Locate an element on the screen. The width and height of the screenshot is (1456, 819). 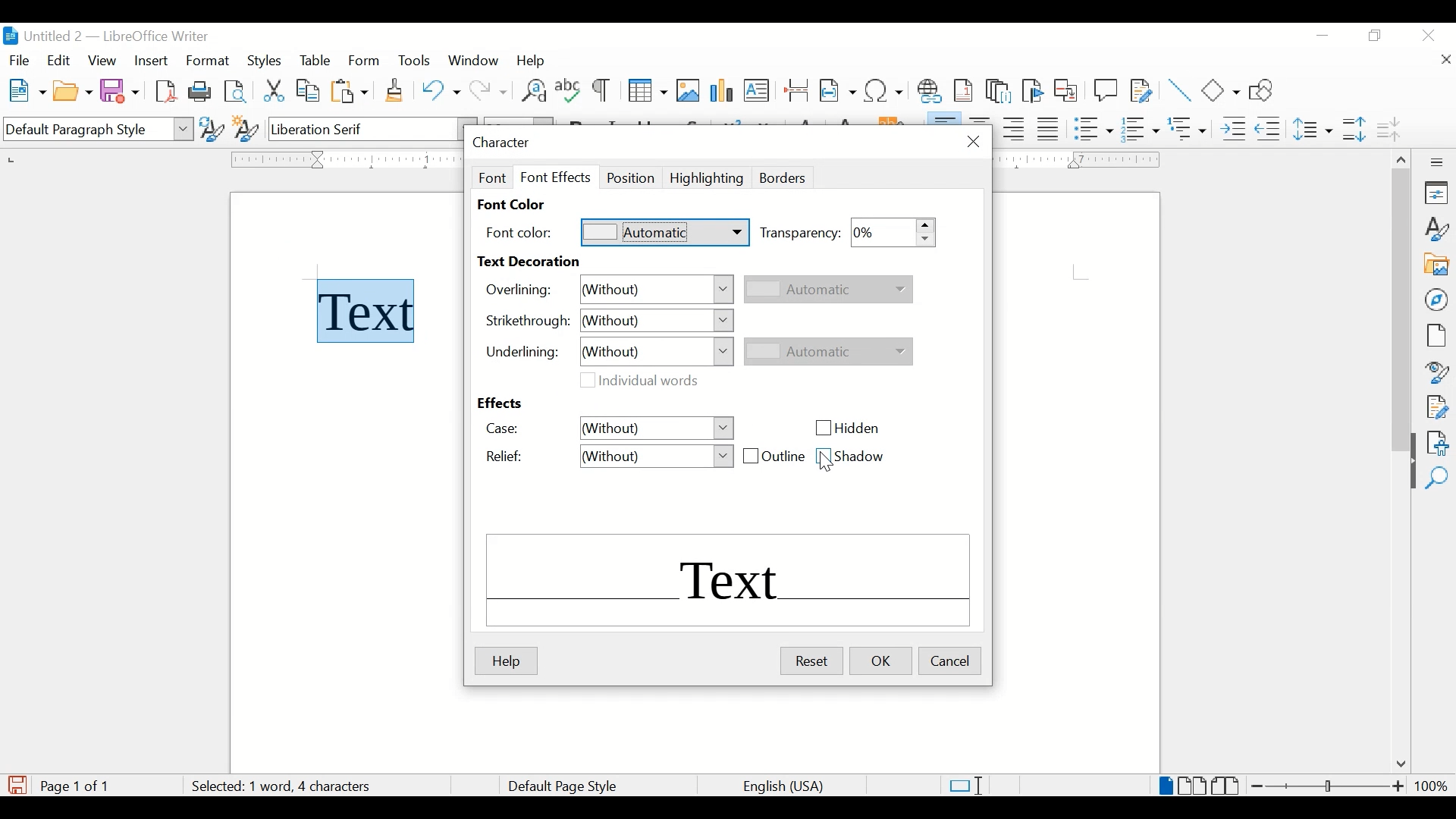
default page style is located at coordinates (560, 786).